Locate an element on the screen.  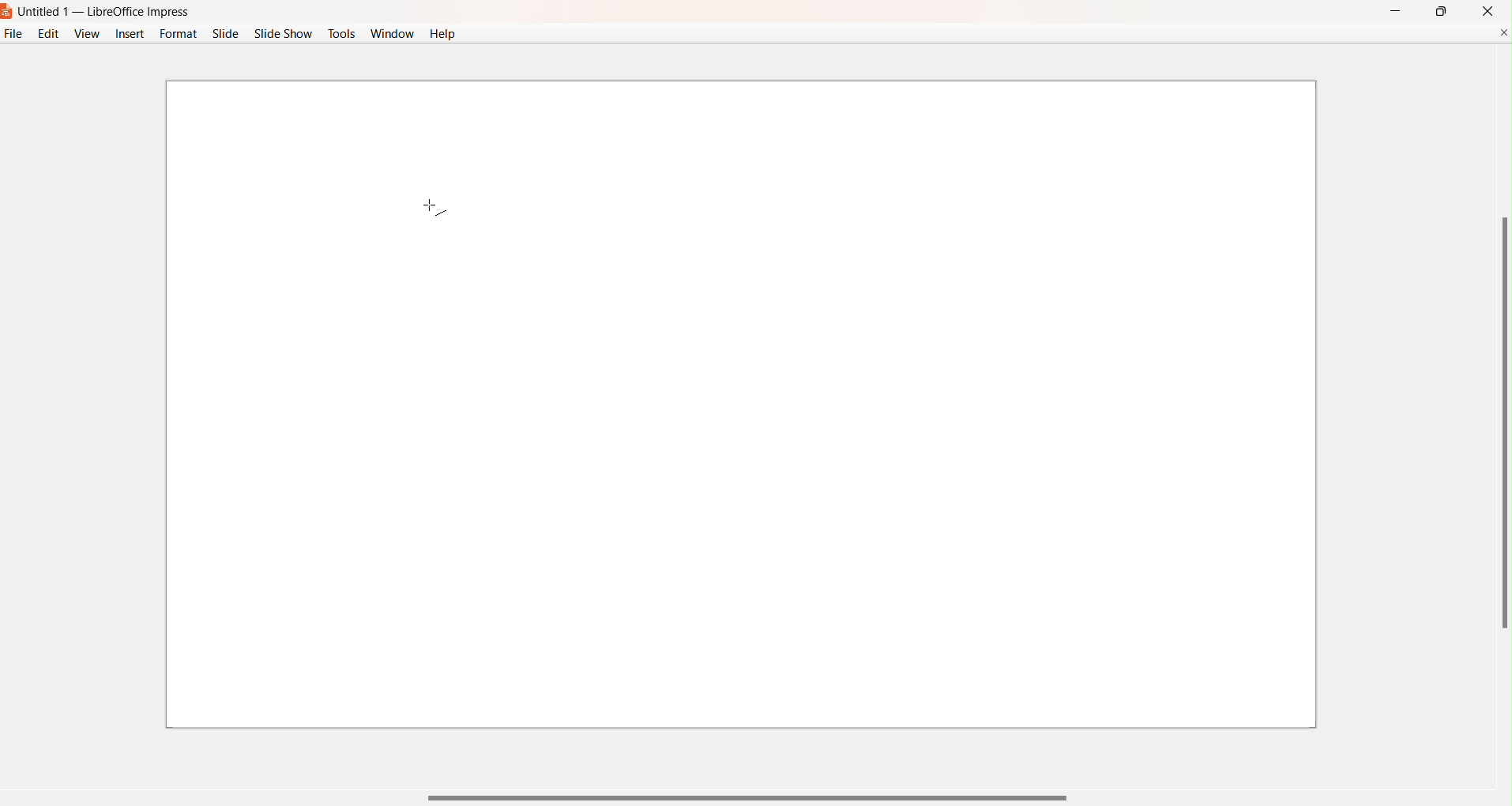
File is located at coordinates (12, 37).